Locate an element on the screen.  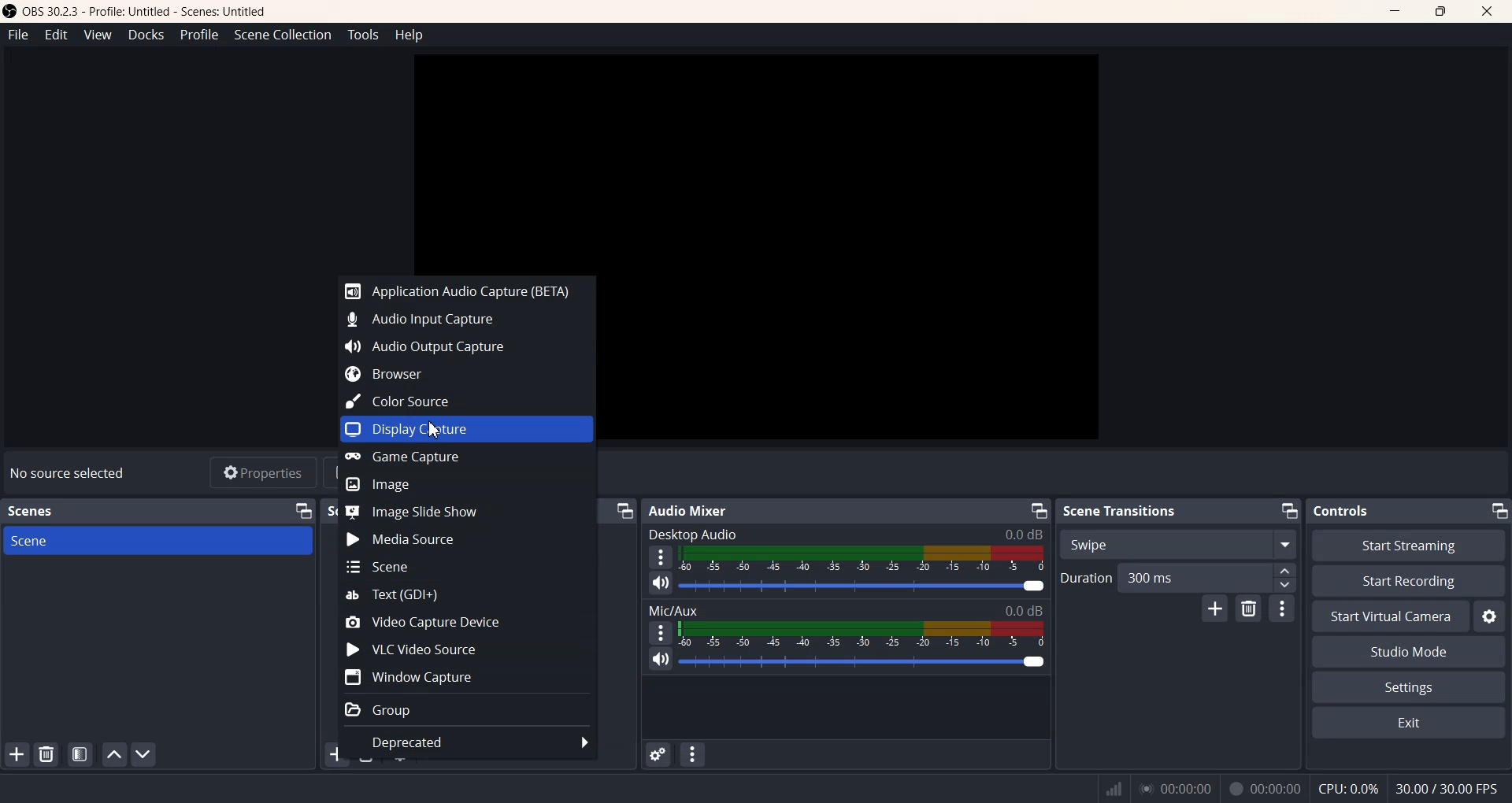
More is located at coordinates (658, 632).